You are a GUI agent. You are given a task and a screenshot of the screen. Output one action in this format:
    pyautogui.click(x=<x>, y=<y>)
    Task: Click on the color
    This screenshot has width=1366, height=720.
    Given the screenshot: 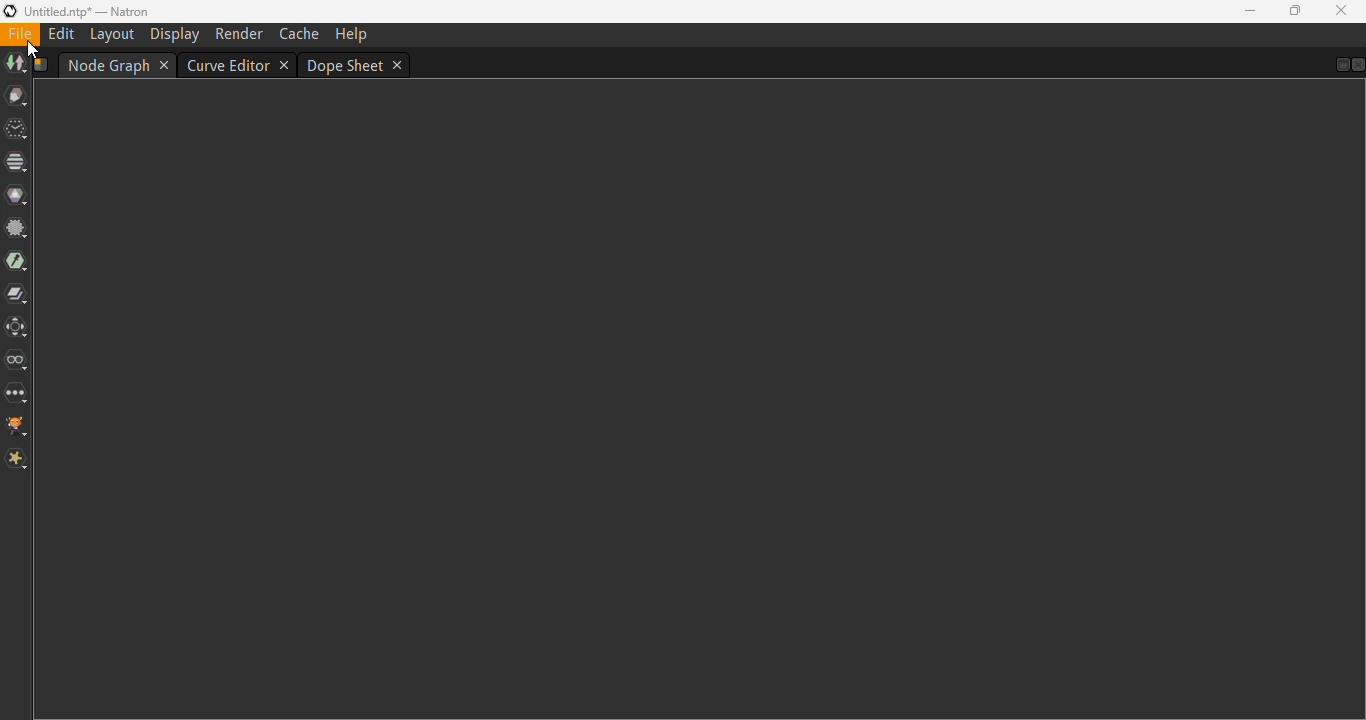 What is the action you would take?
    pyautogui.click(x=17, y=195)
    